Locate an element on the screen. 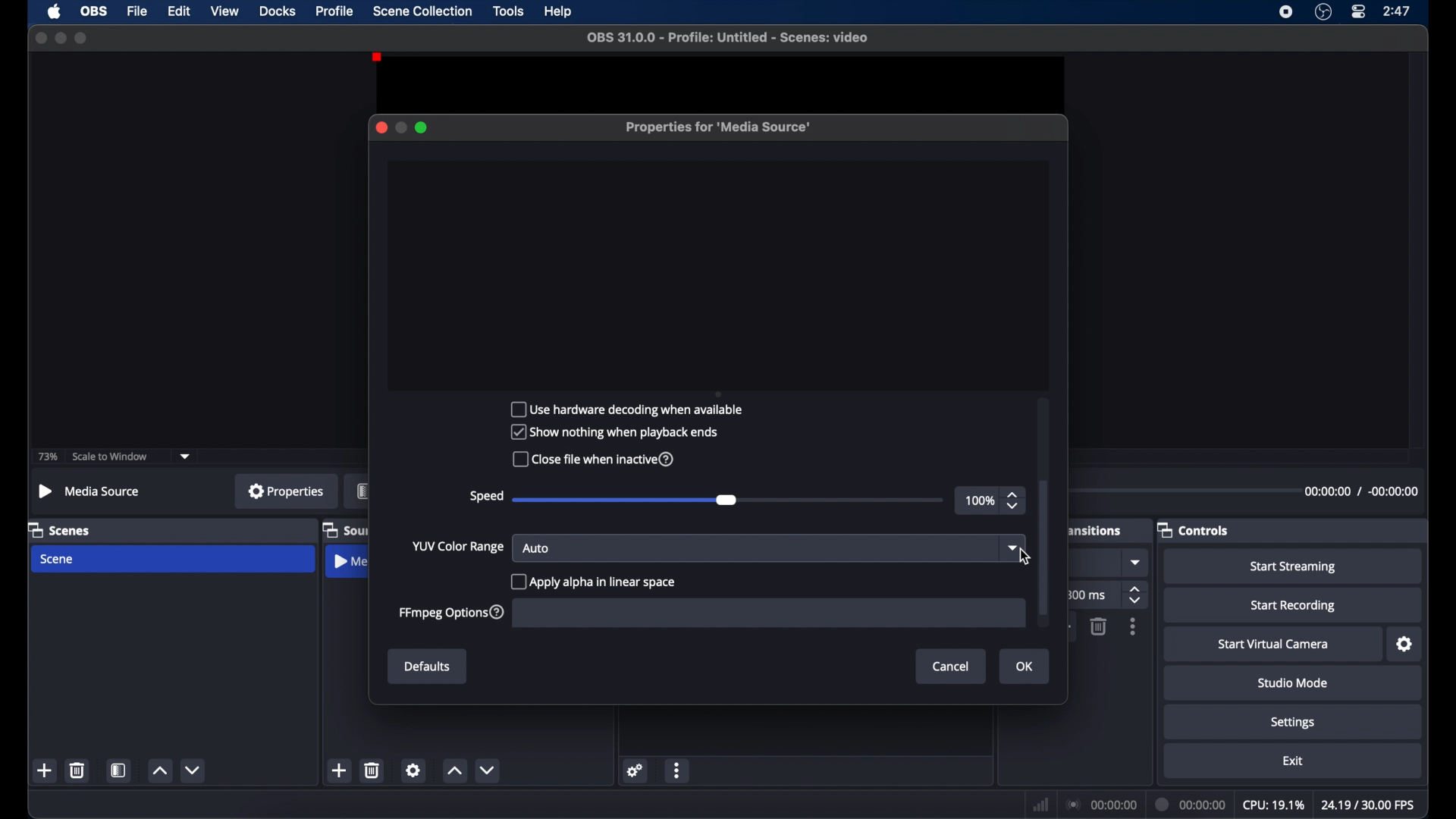 The width and height of the screenshot is (1456, 819). yup color change is located at coordinates (457, 546).